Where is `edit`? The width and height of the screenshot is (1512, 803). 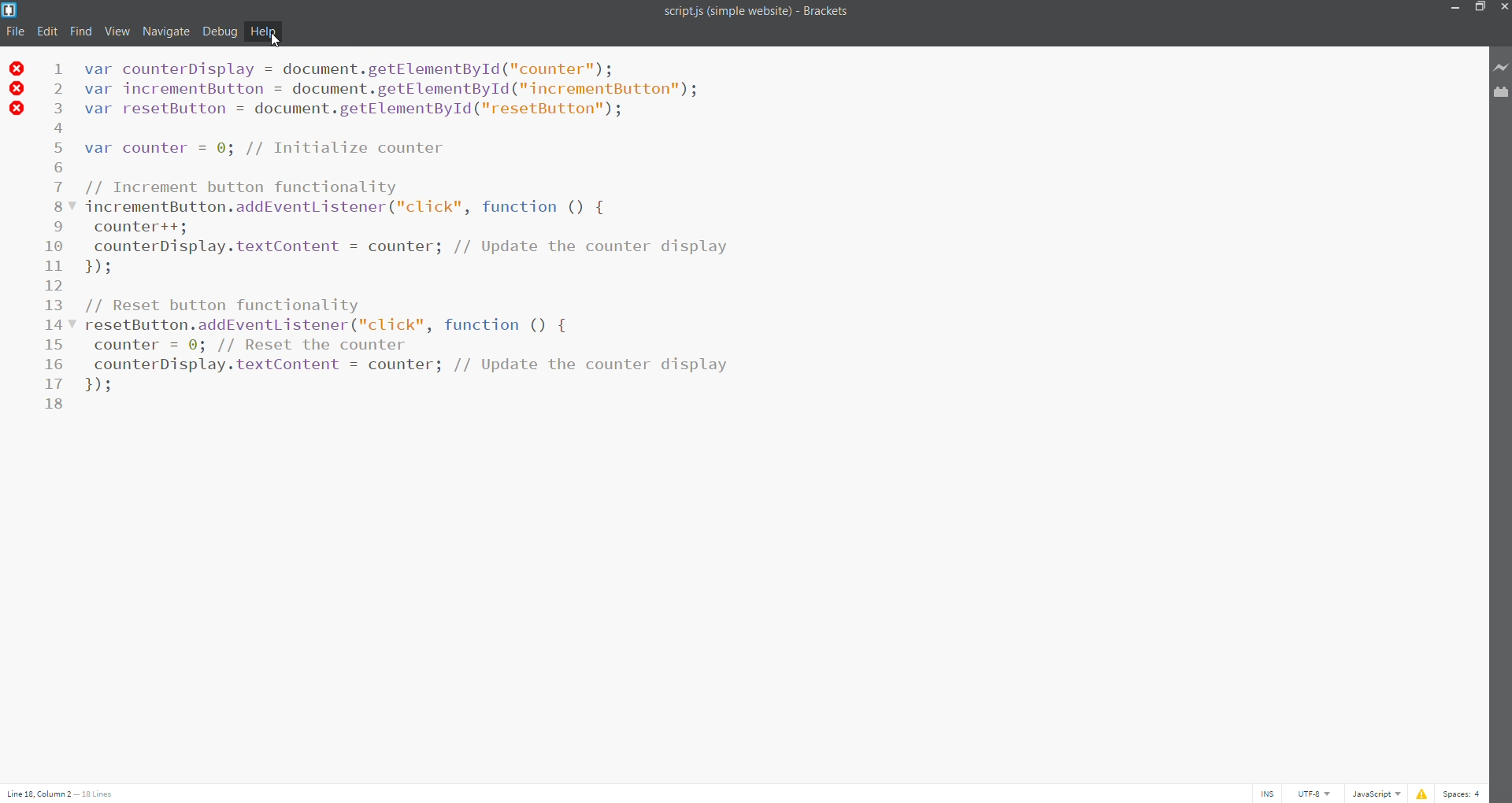
edit is located at coordinates (46, 30).